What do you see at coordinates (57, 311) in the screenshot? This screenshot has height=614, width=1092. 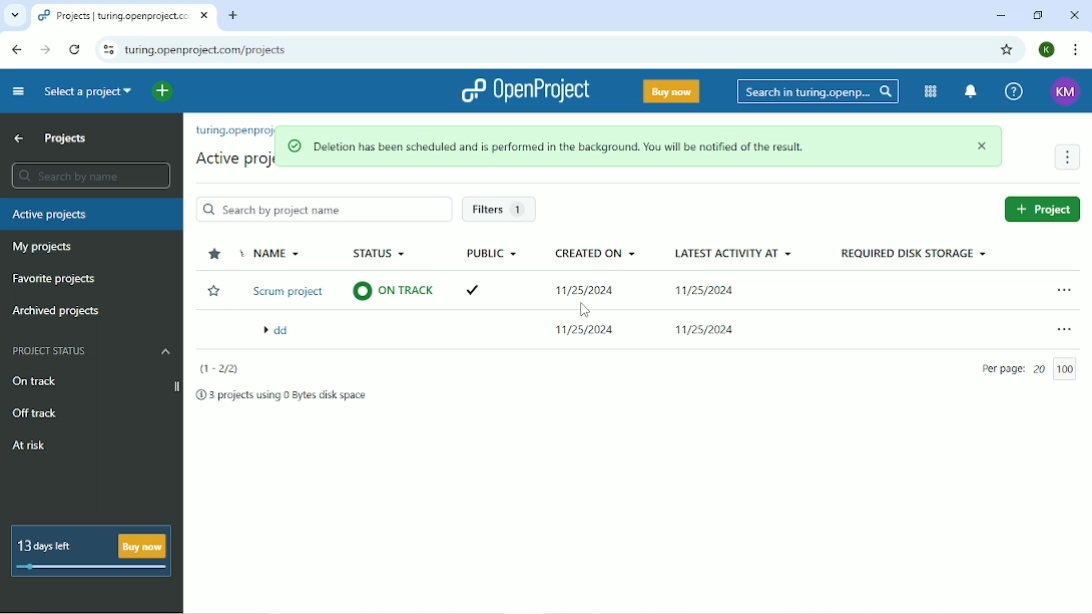 I see `Archived projects` at bounding box center [57, 311].